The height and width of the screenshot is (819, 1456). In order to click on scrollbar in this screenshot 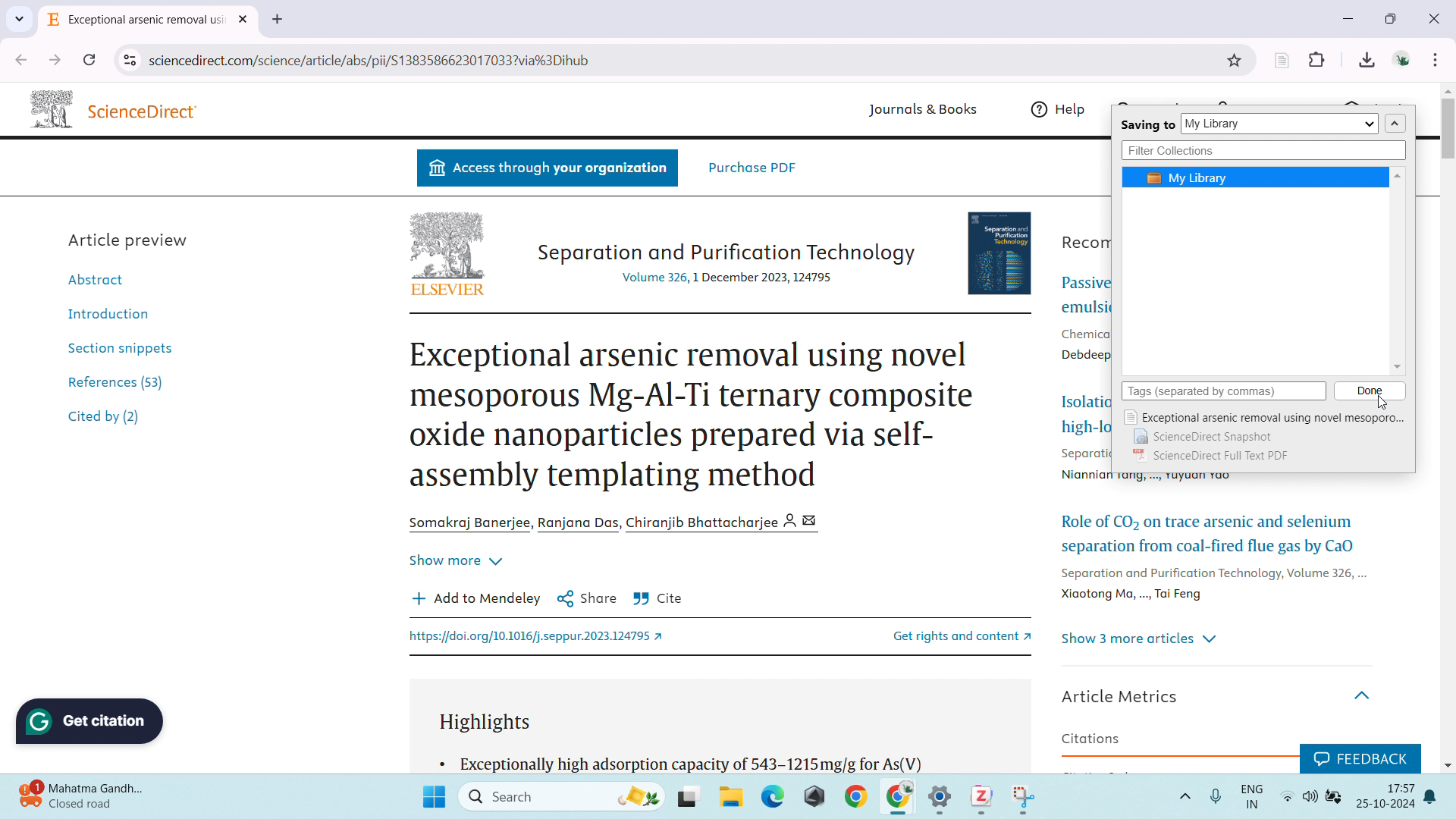, I will do `click(1446, 137)`.